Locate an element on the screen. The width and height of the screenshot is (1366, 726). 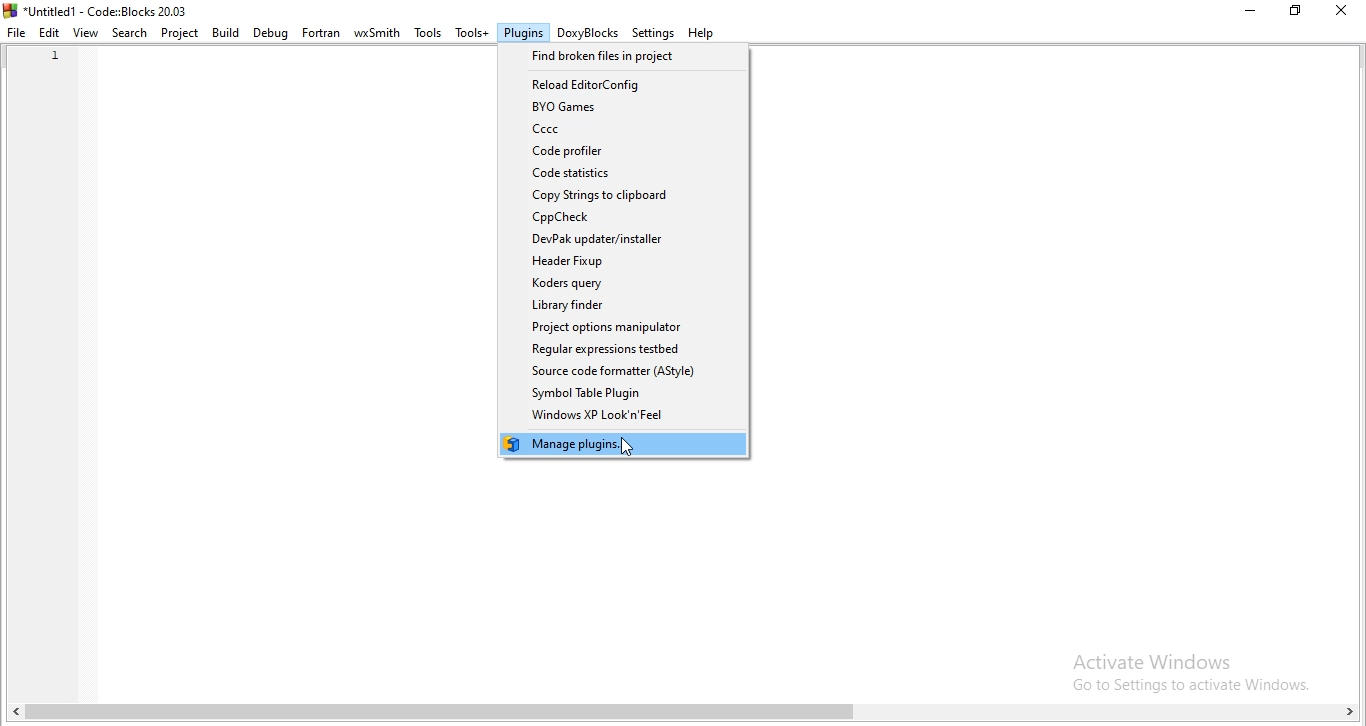
edit is located at coordinates (50, 34).